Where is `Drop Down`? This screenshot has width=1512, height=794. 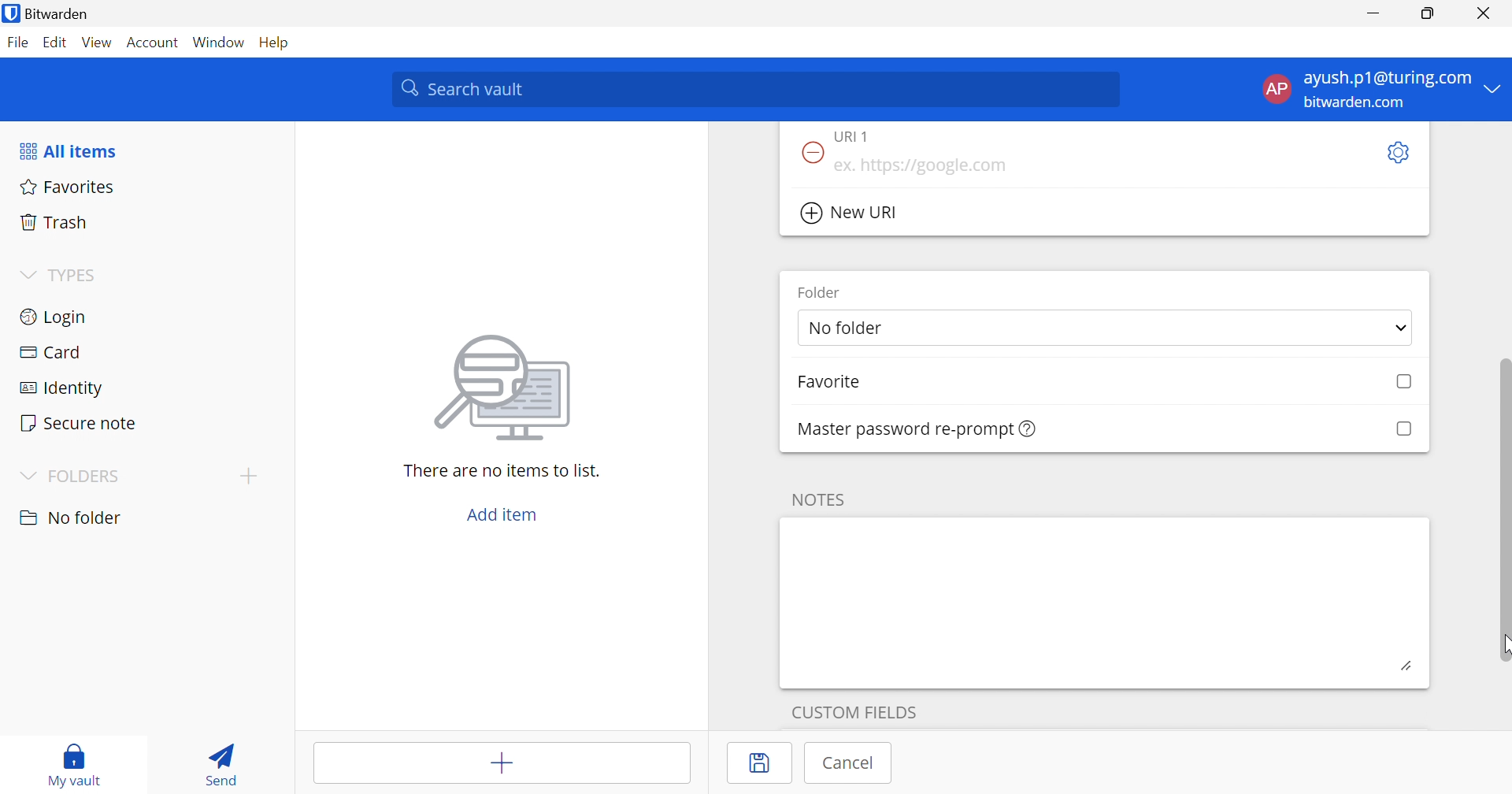
Drop Down is located at coordinates (1494, 87).